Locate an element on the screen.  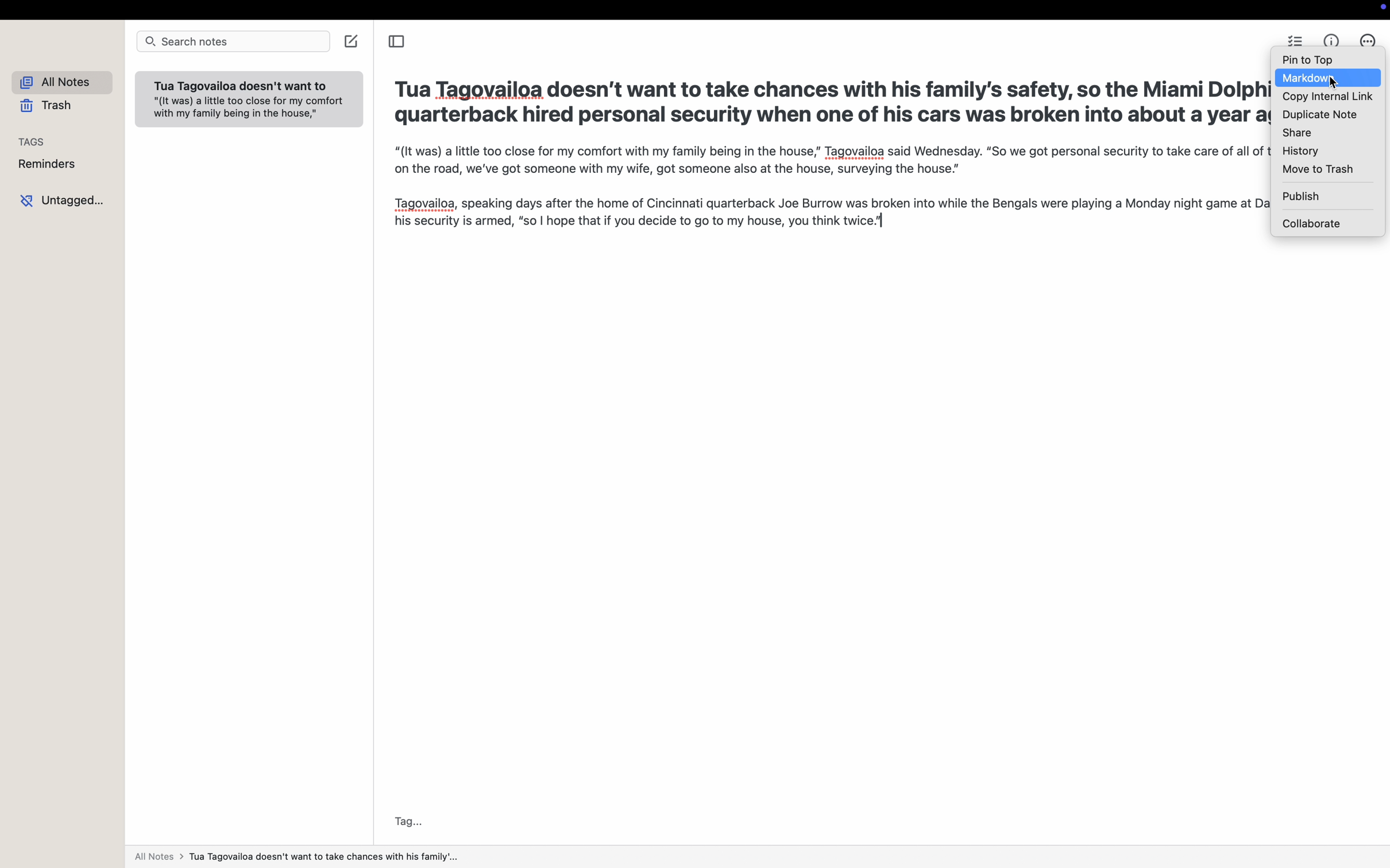
checklist is located at coordinates (1295, 38).